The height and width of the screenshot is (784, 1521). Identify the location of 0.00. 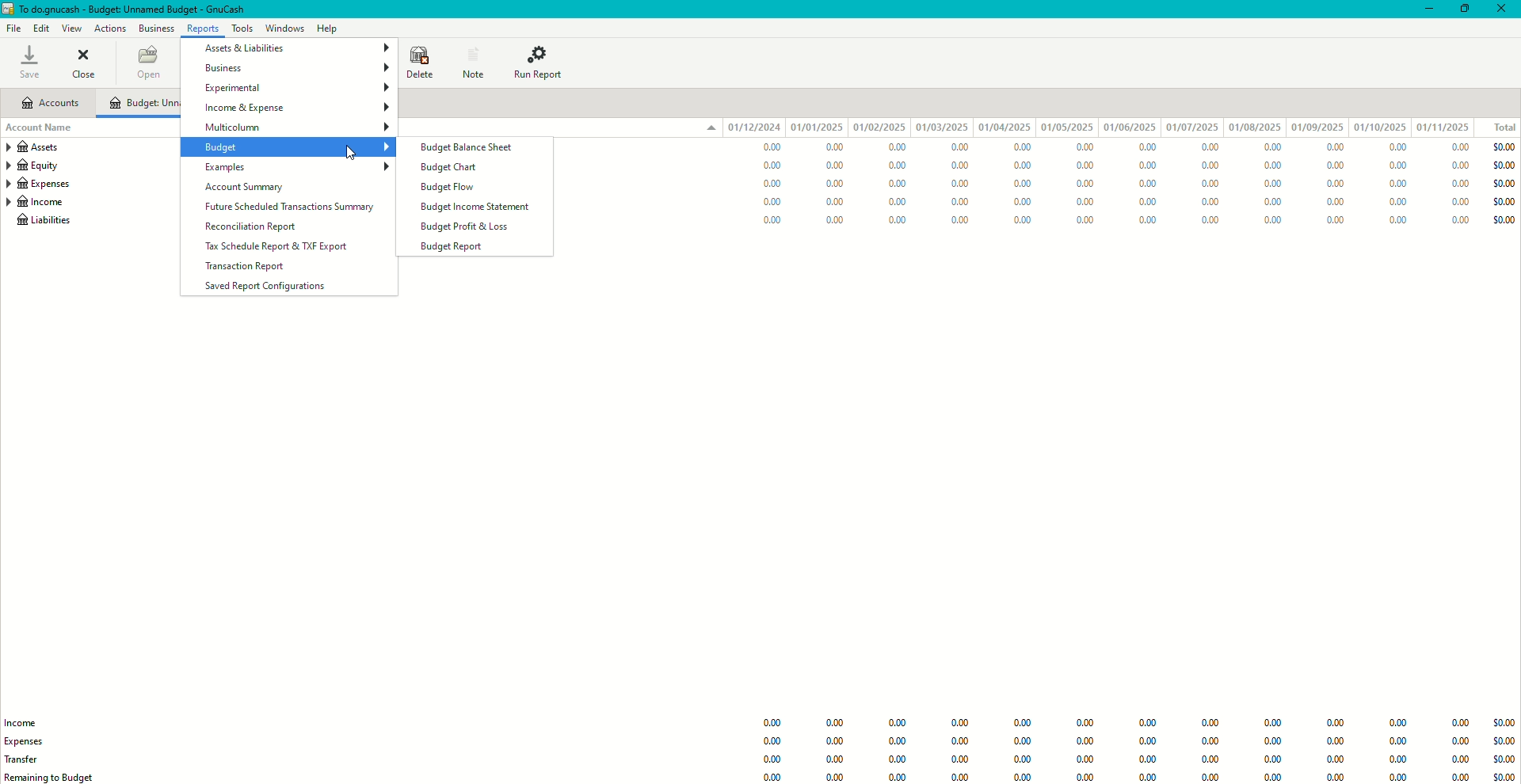
(1086, 201).